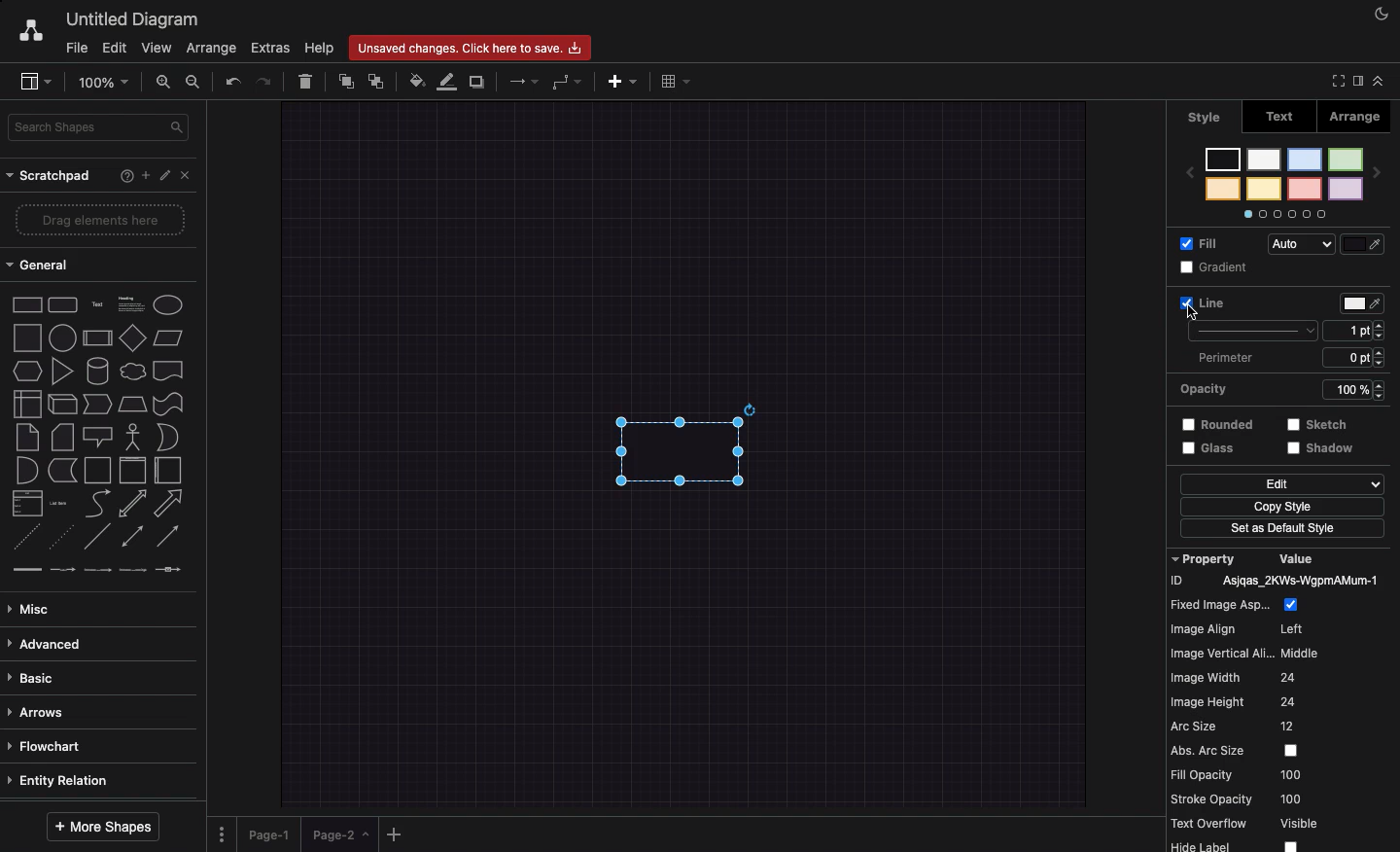 The image size is (1400, 852). I want to click on , so click(132, 337).